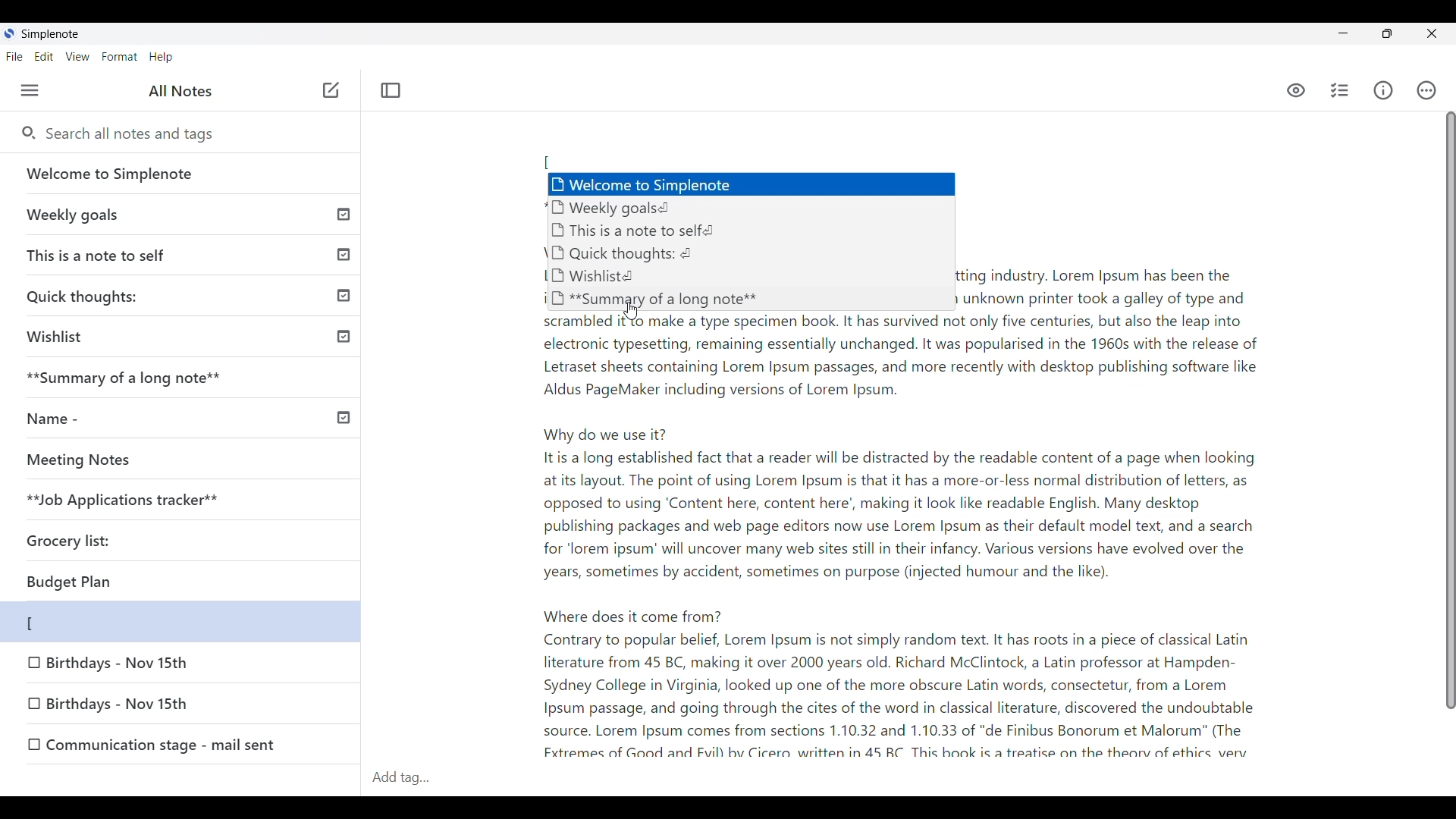 Image resolution: width=1456 pixels, height=819 pixels. Describe the element at coordinates (645, 277) in the screenshot. I see `Wishlist` at that location.